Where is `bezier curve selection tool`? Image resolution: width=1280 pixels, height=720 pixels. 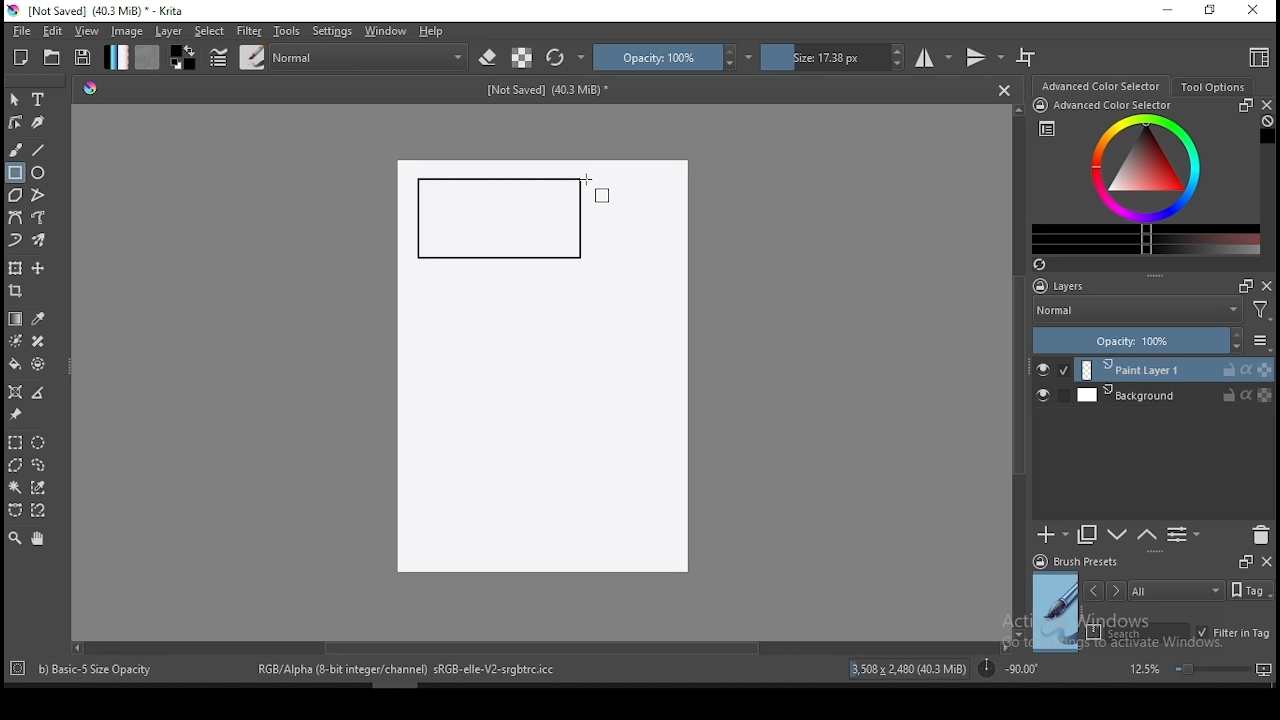 bezier curve selection tool is located at coordinates (15, 511).